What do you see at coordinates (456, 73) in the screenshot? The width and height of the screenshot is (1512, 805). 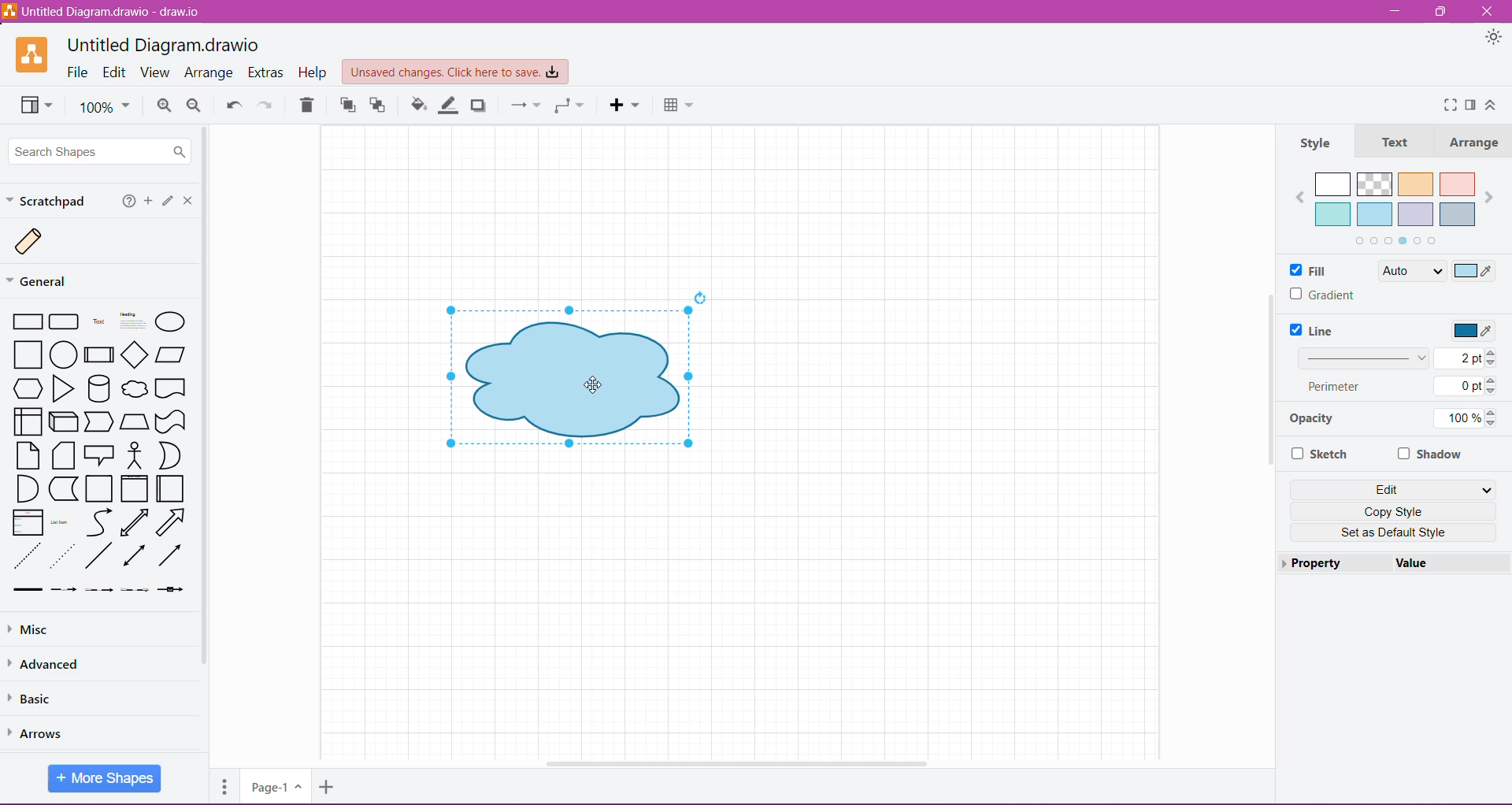 I see `Unsaved Changes. Click here to save` at bounding box center [456, 73].